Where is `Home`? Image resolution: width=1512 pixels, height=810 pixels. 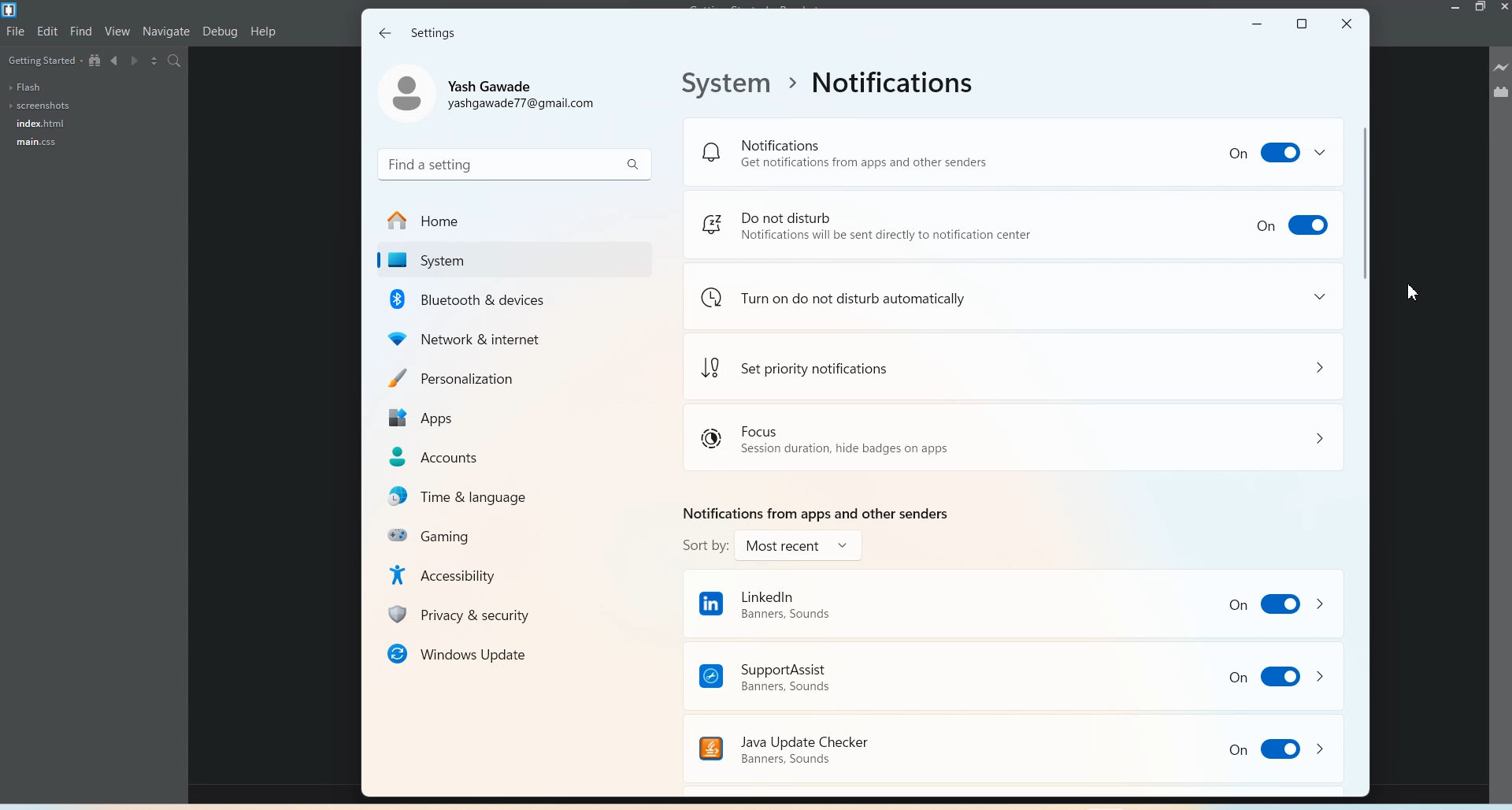
Home is located at coordinates (507, 220).